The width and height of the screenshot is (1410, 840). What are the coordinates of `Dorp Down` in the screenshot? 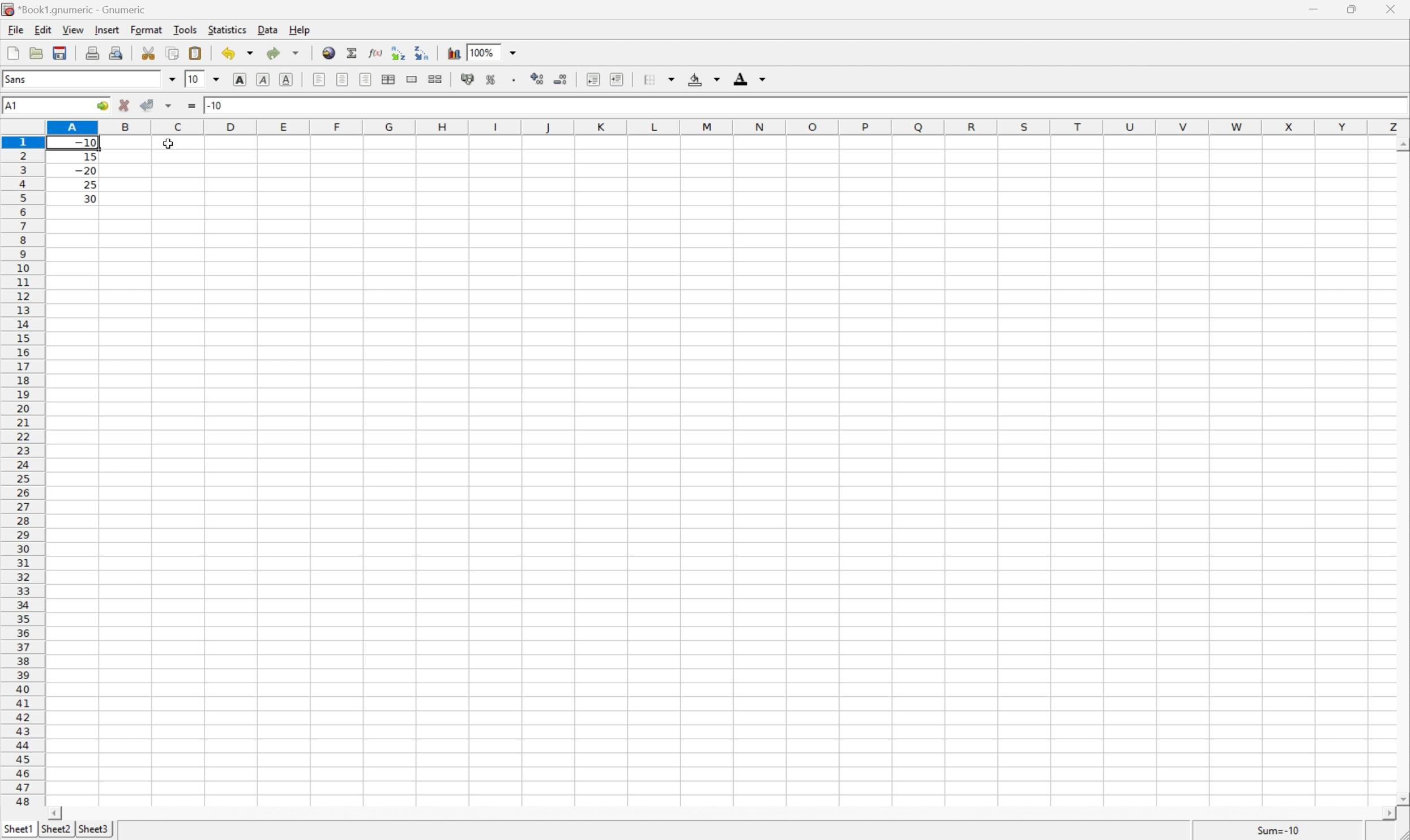 It's located at (763, 80).